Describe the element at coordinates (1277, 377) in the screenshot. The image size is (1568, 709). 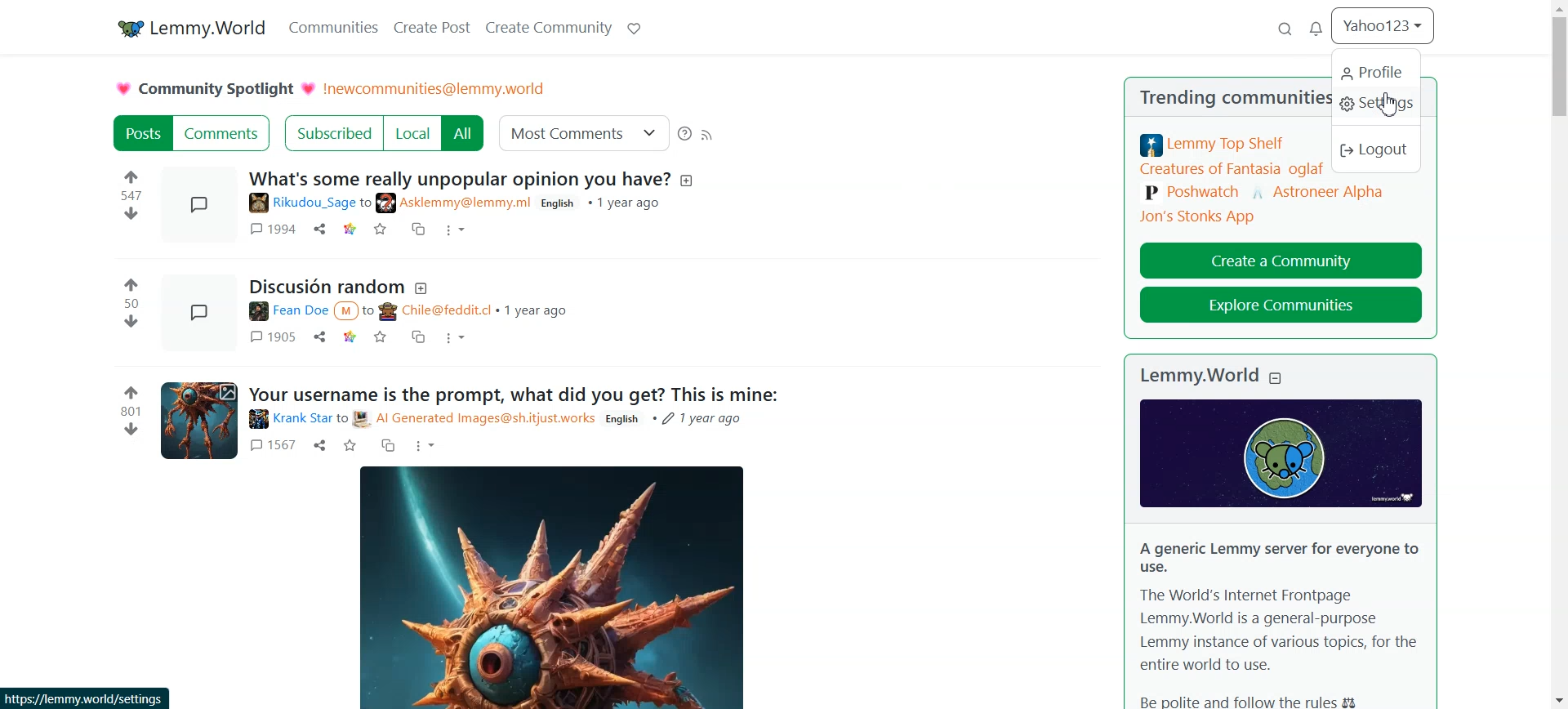
I see `Collapse` at that location.